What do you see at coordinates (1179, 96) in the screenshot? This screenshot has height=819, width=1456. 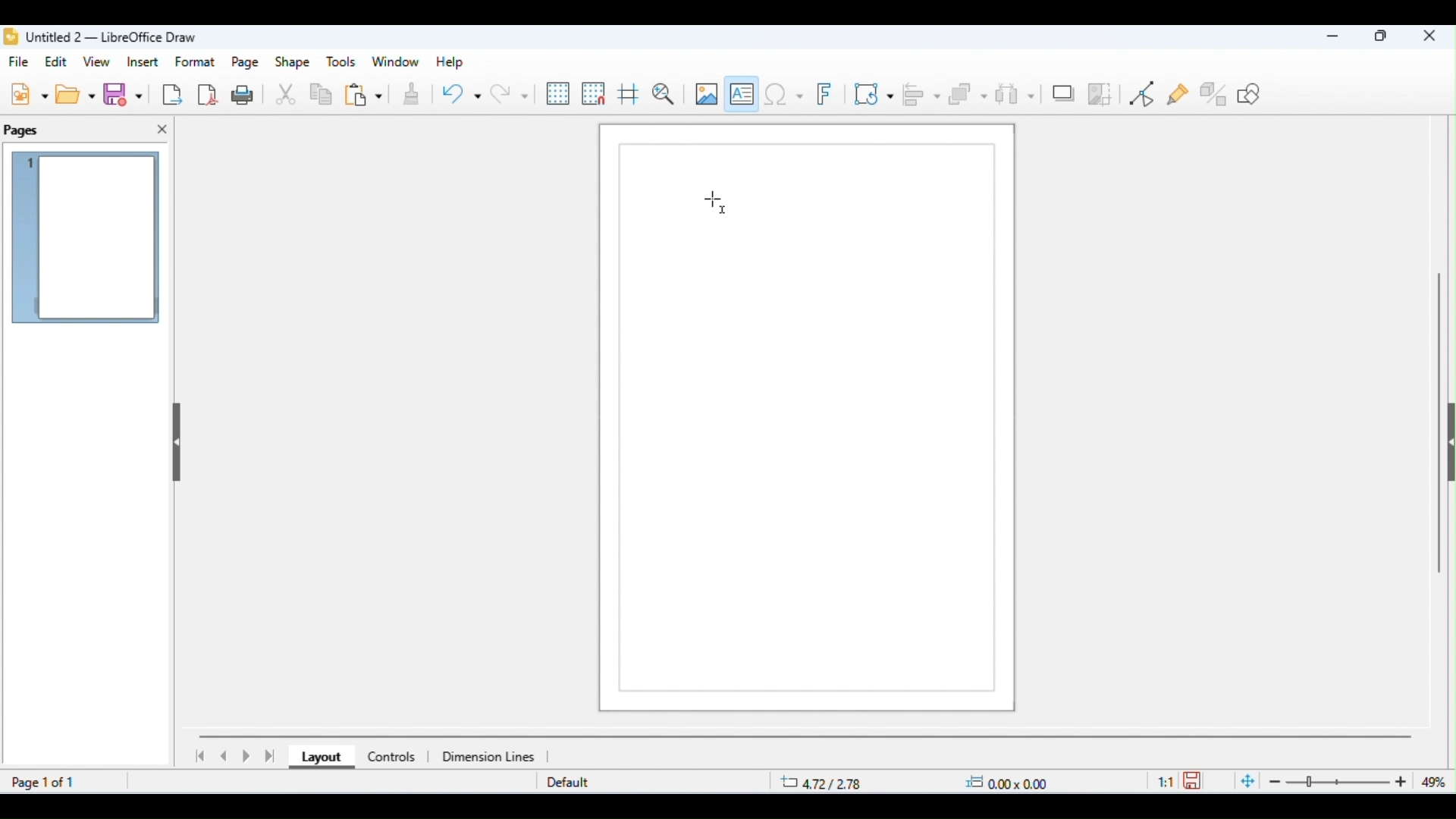 I see `show gluepoint functions` at bounding box center [1179, 96].